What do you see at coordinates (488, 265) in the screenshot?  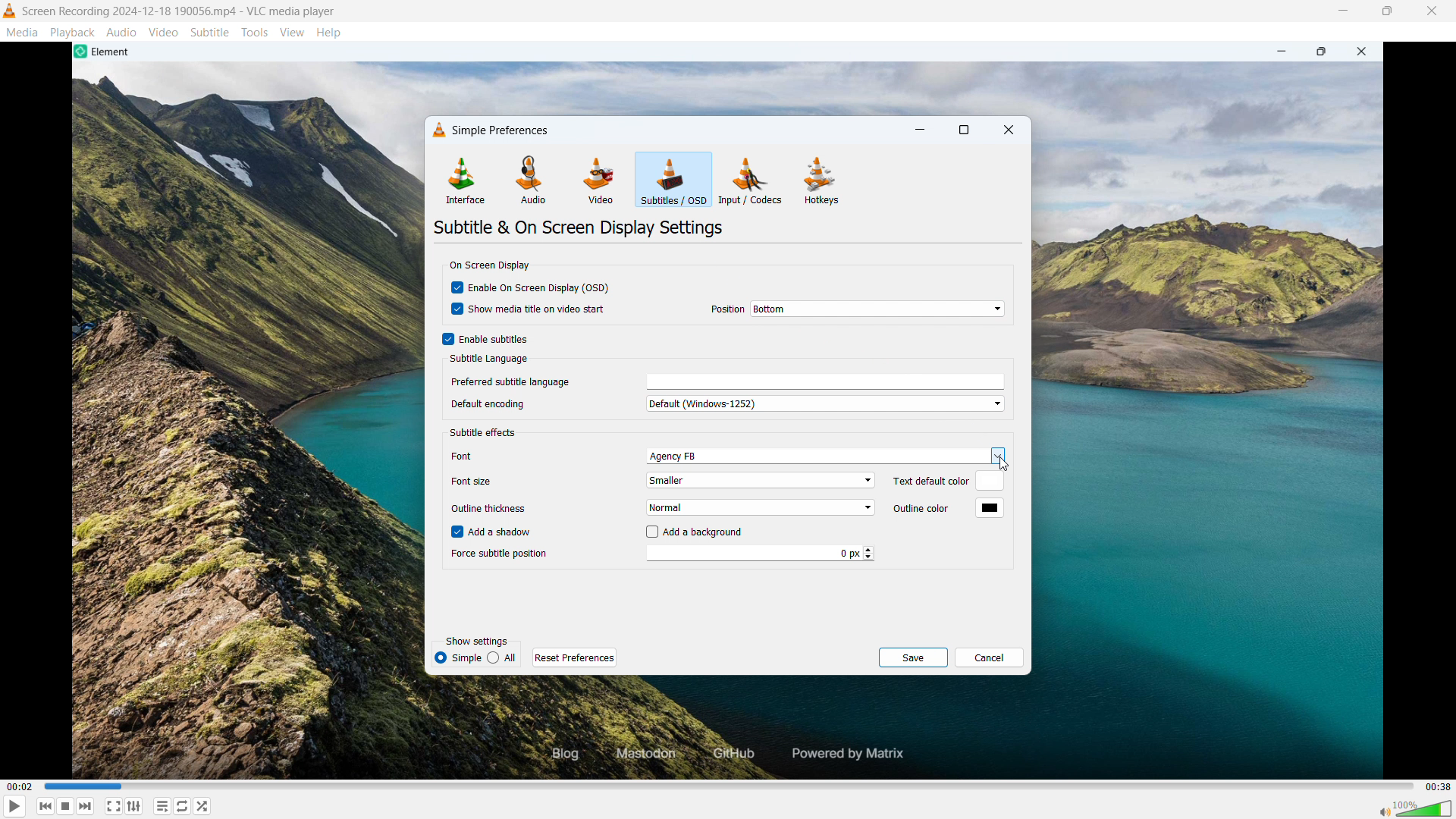 I see `on screen display` at bounding box center [488, 265].